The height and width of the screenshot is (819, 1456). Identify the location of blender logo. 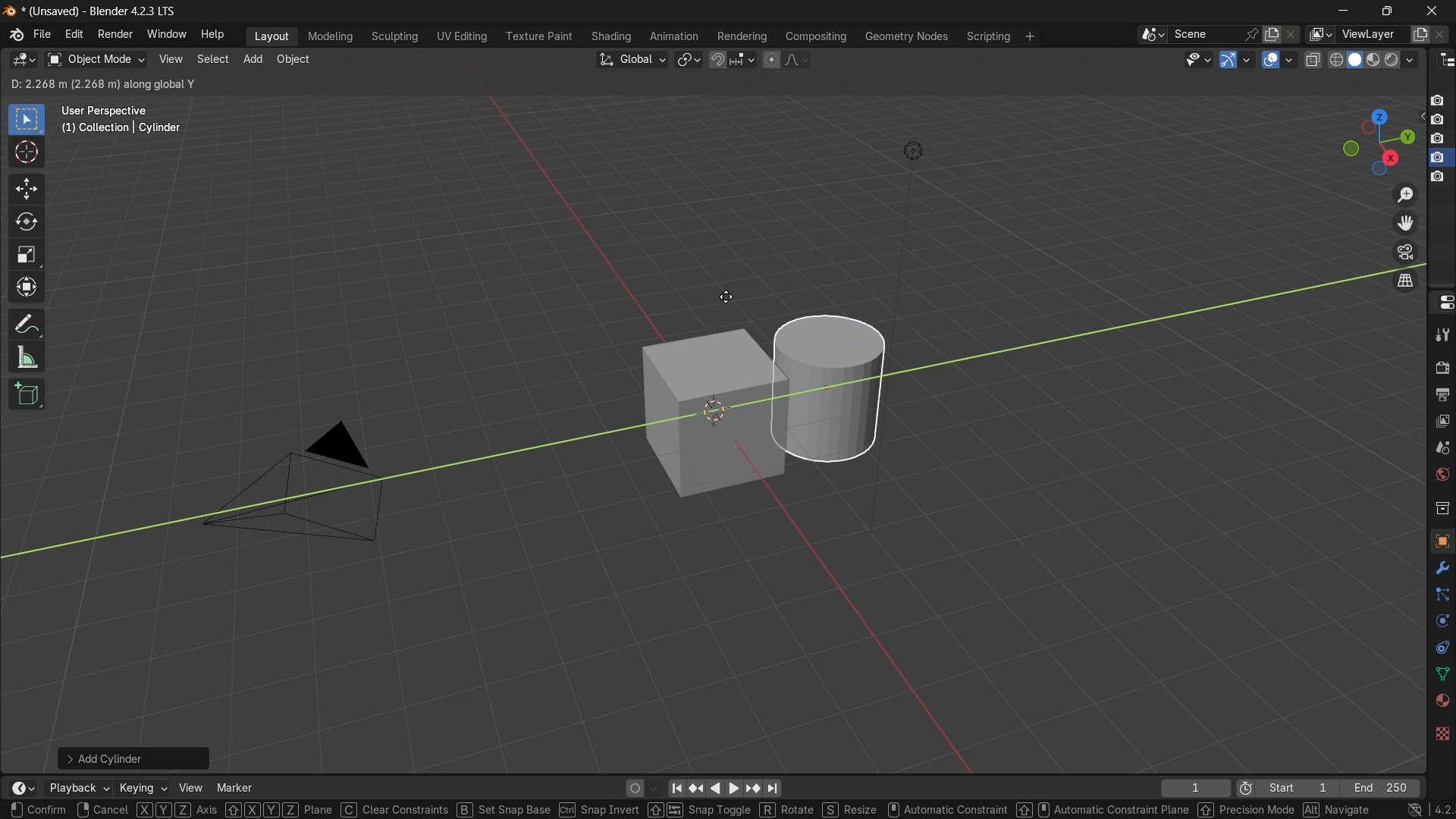
(14, 36).